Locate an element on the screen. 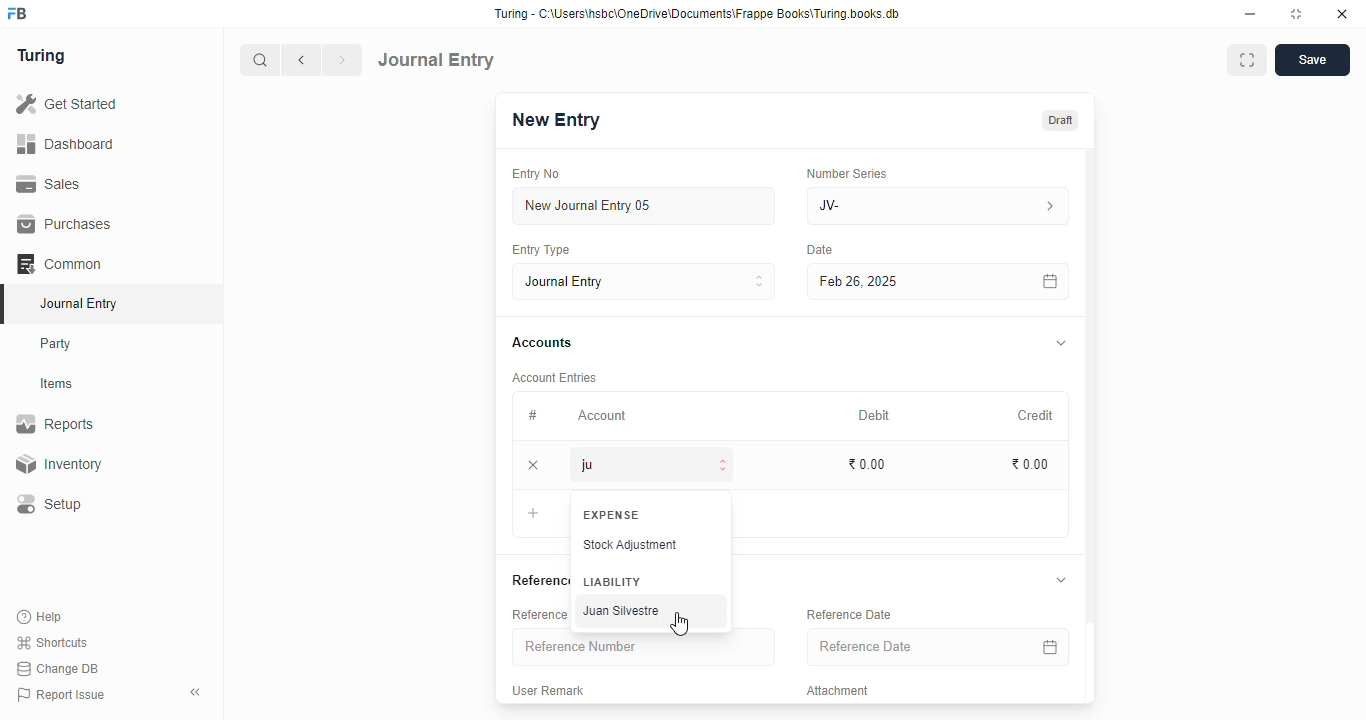 This screenshot has width=1366, height=720. toggle sidebar is located at coordinates (197, 692).